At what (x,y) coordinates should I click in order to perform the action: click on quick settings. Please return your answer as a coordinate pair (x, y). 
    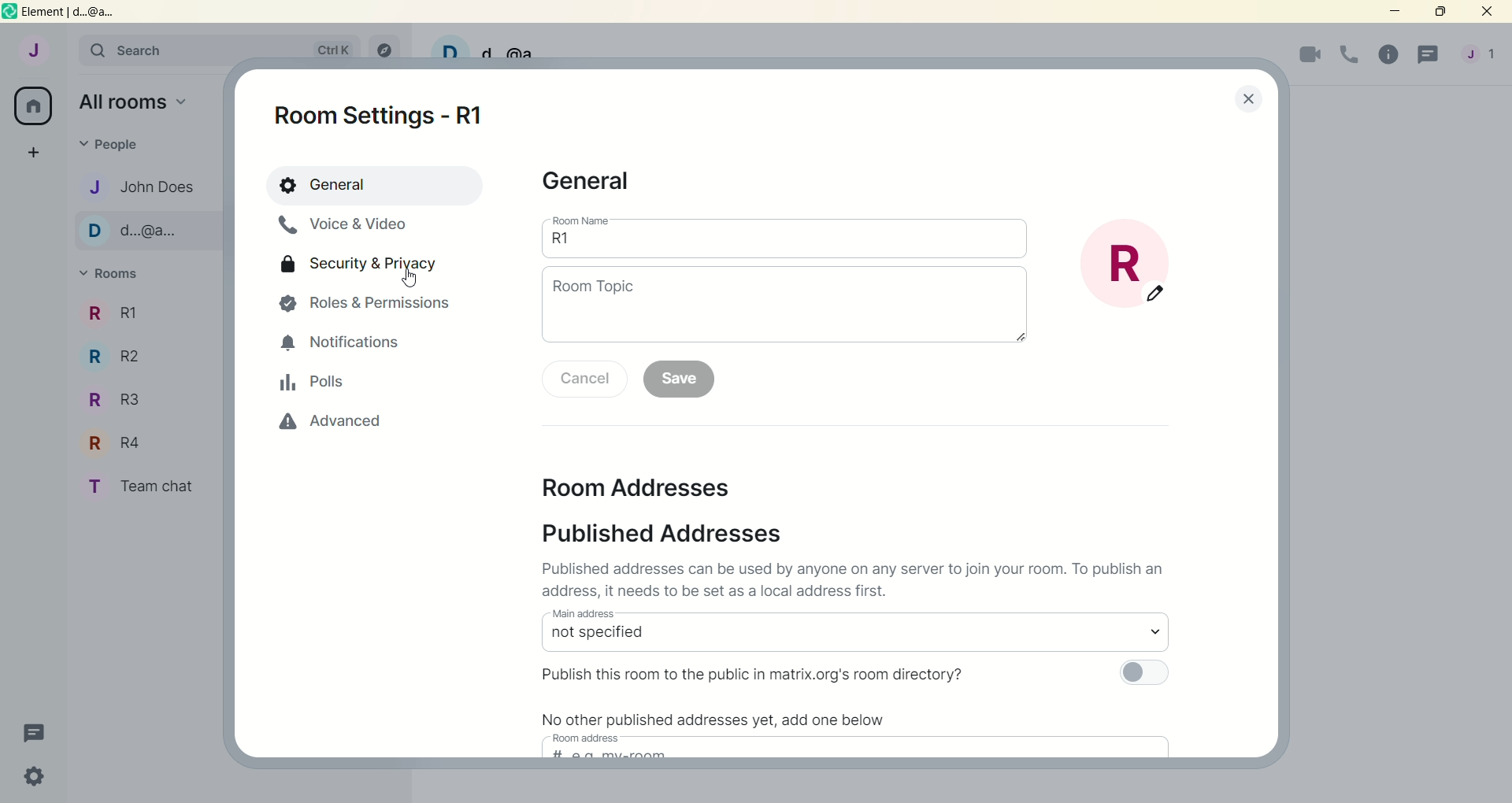
    Looking at the image, I should click on (31, 775).